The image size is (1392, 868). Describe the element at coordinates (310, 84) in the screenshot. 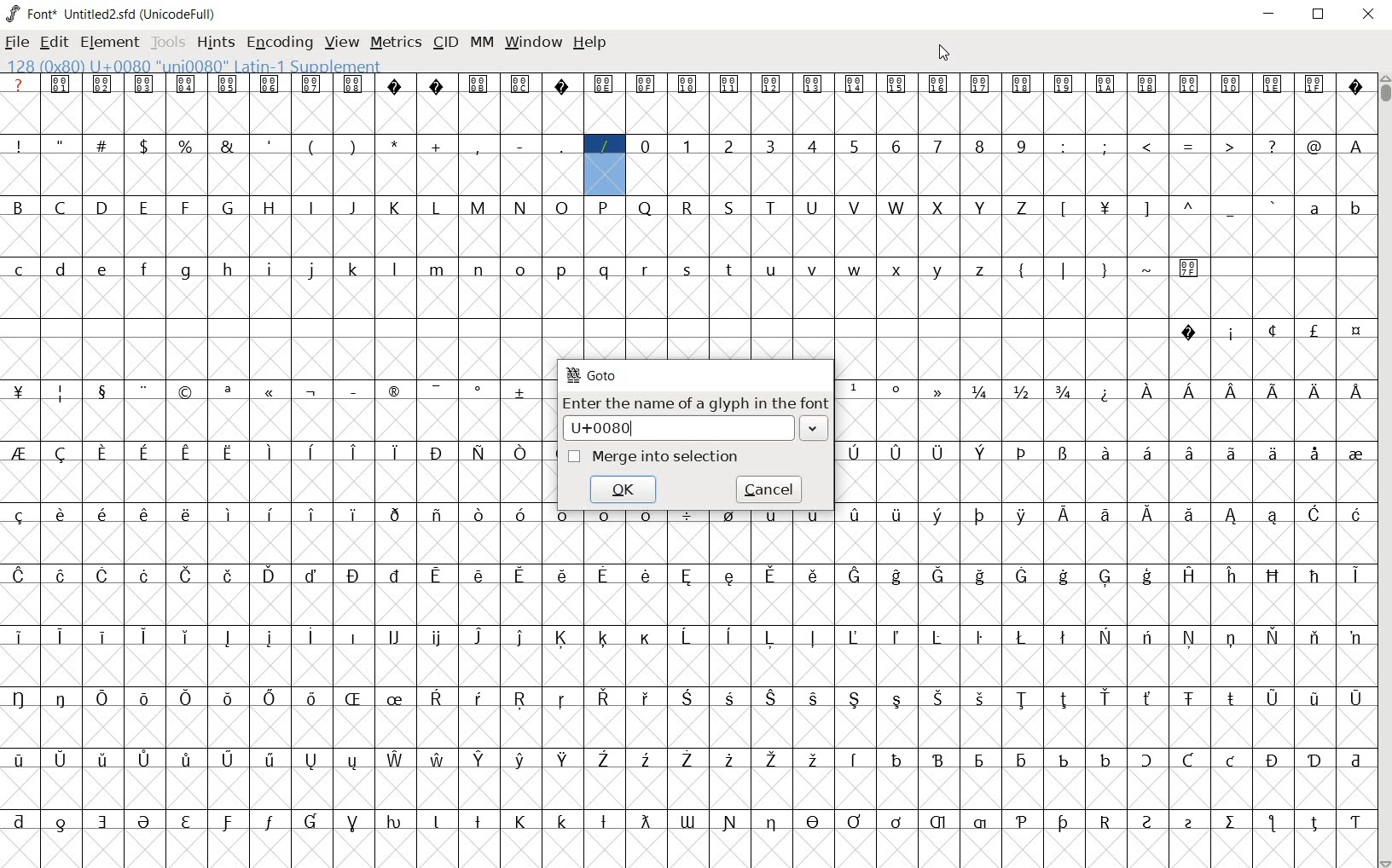

I see `glyph` at that location.